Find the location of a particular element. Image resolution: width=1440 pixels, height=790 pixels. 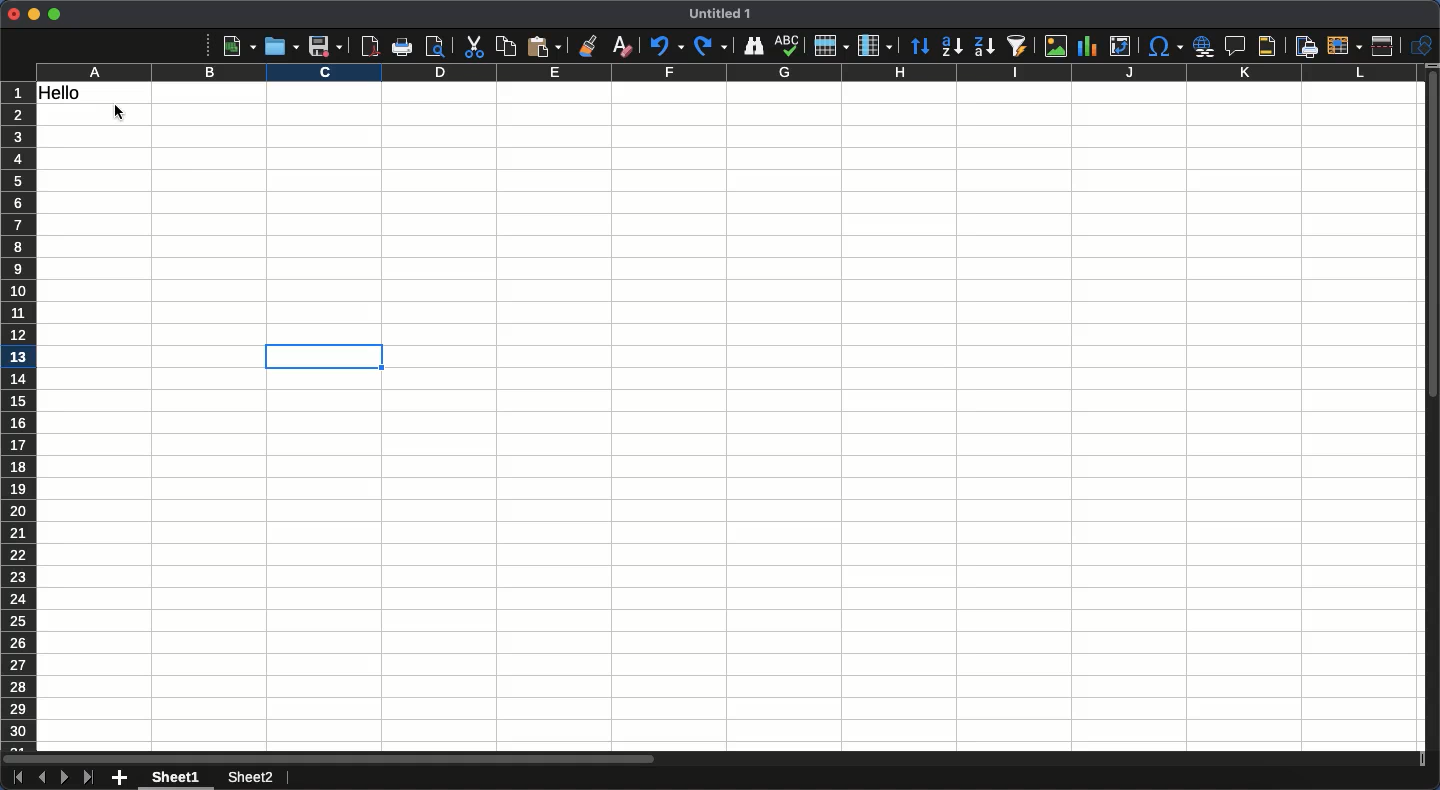

Clear formatting is located at coordinates (623, 45).